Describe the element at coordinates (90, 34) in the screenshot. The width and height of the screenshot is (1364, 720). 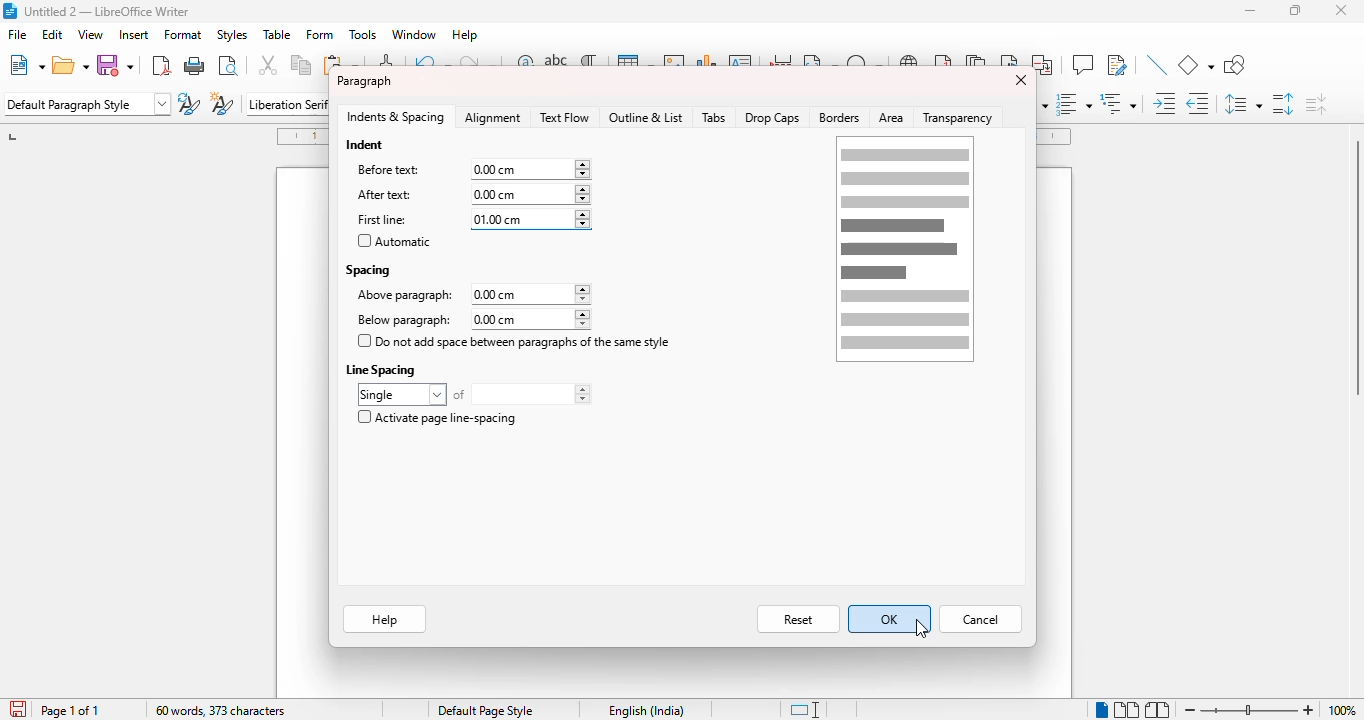
I see `view` at that location.